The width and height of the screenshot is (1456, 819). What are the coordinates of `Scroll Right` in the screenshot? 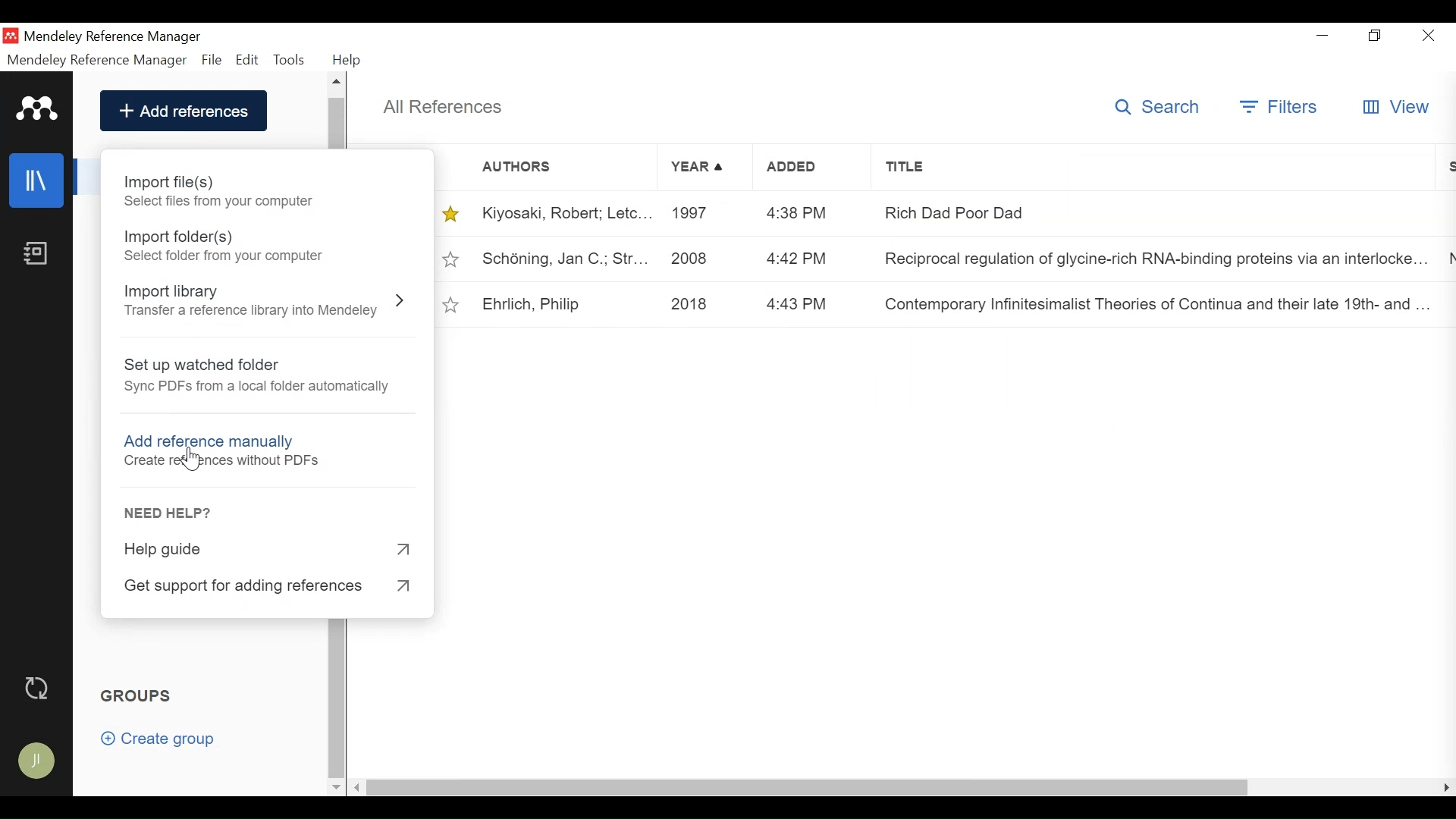 It's located at (1445, 788).